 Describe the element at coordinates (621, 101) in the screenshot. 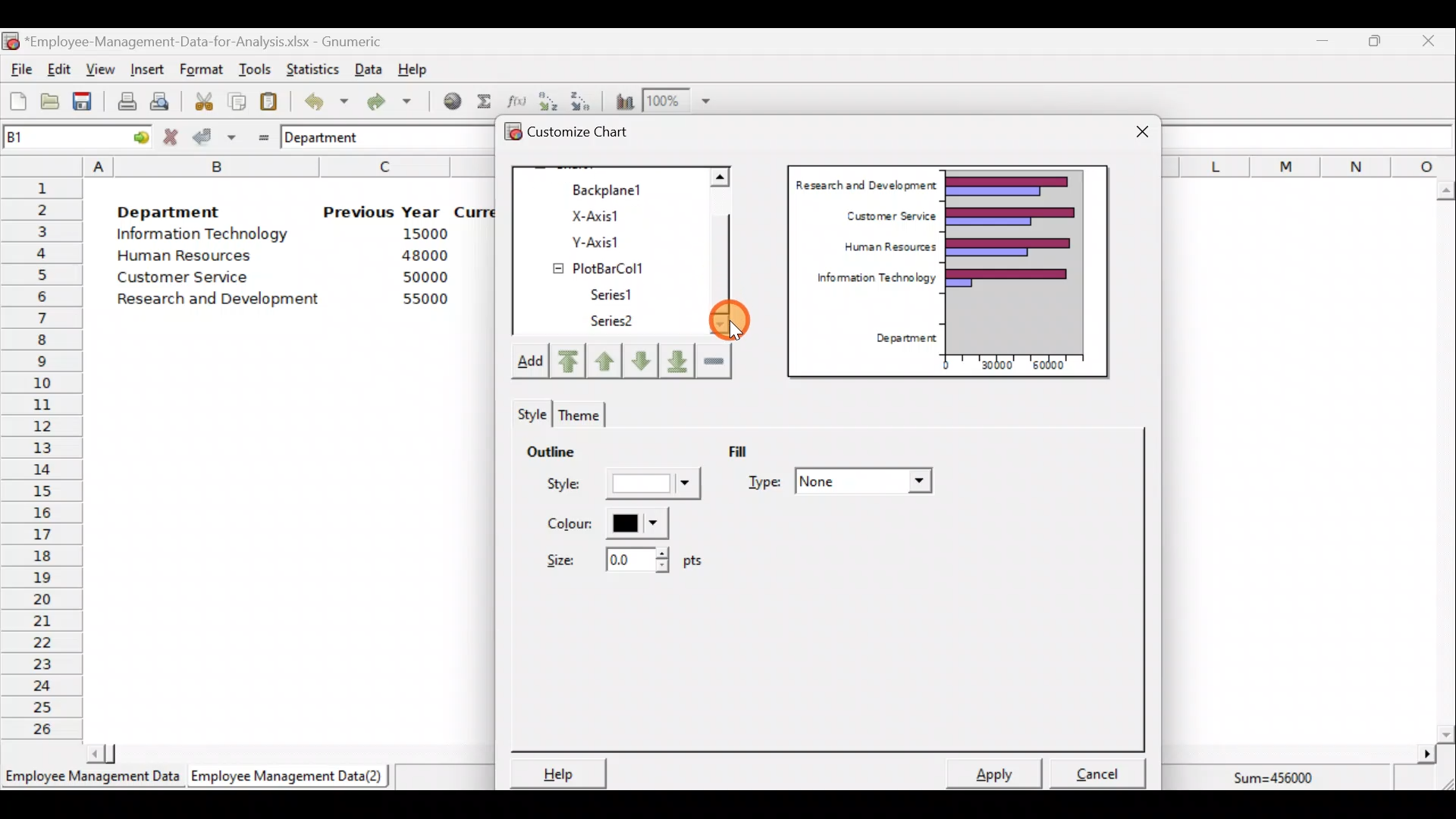

I see `Insert a chart` at that location.